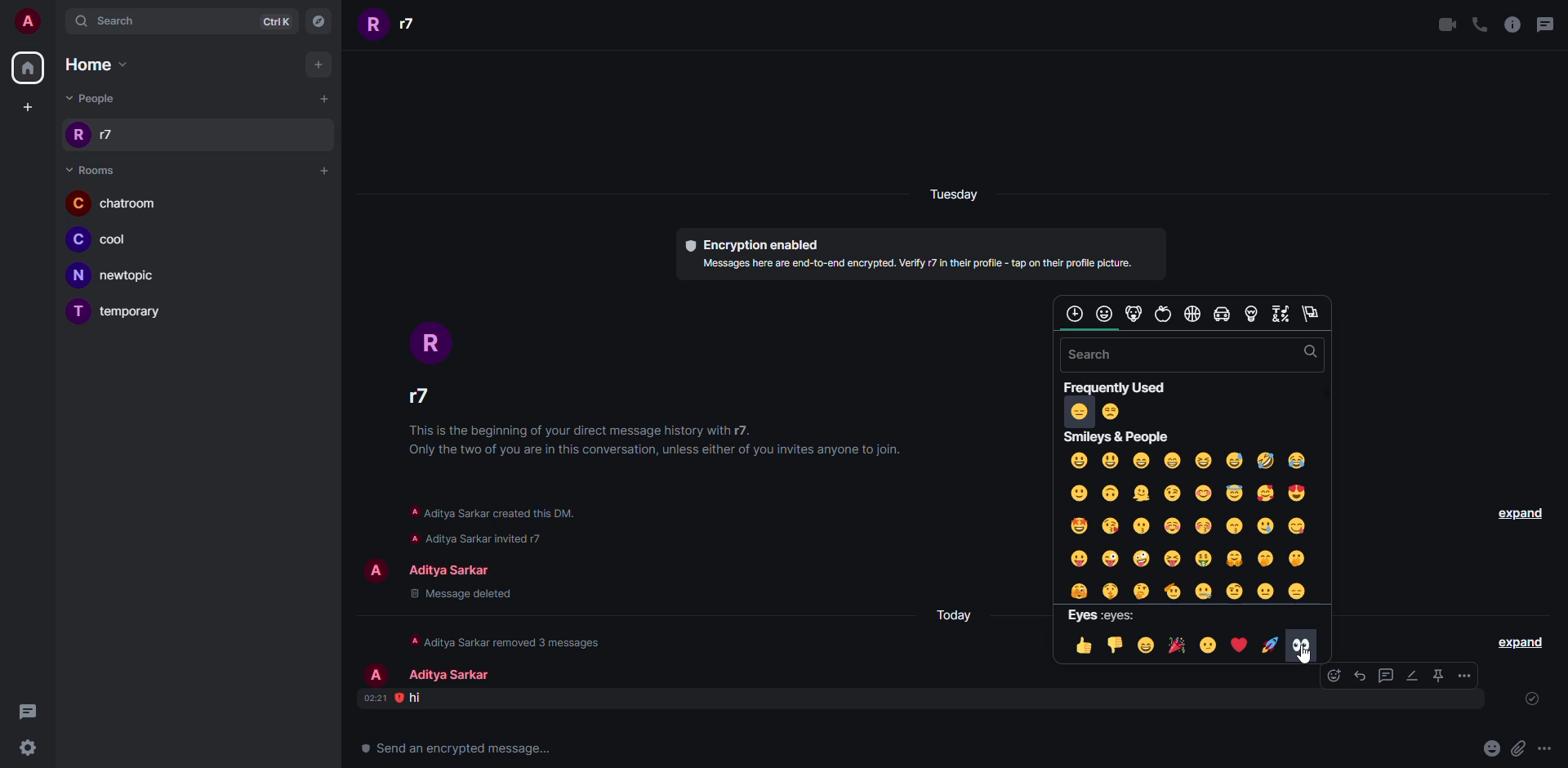 The width and height of the screenshot is (1568, 768). I want to click on eyes, so click(1106, 615).